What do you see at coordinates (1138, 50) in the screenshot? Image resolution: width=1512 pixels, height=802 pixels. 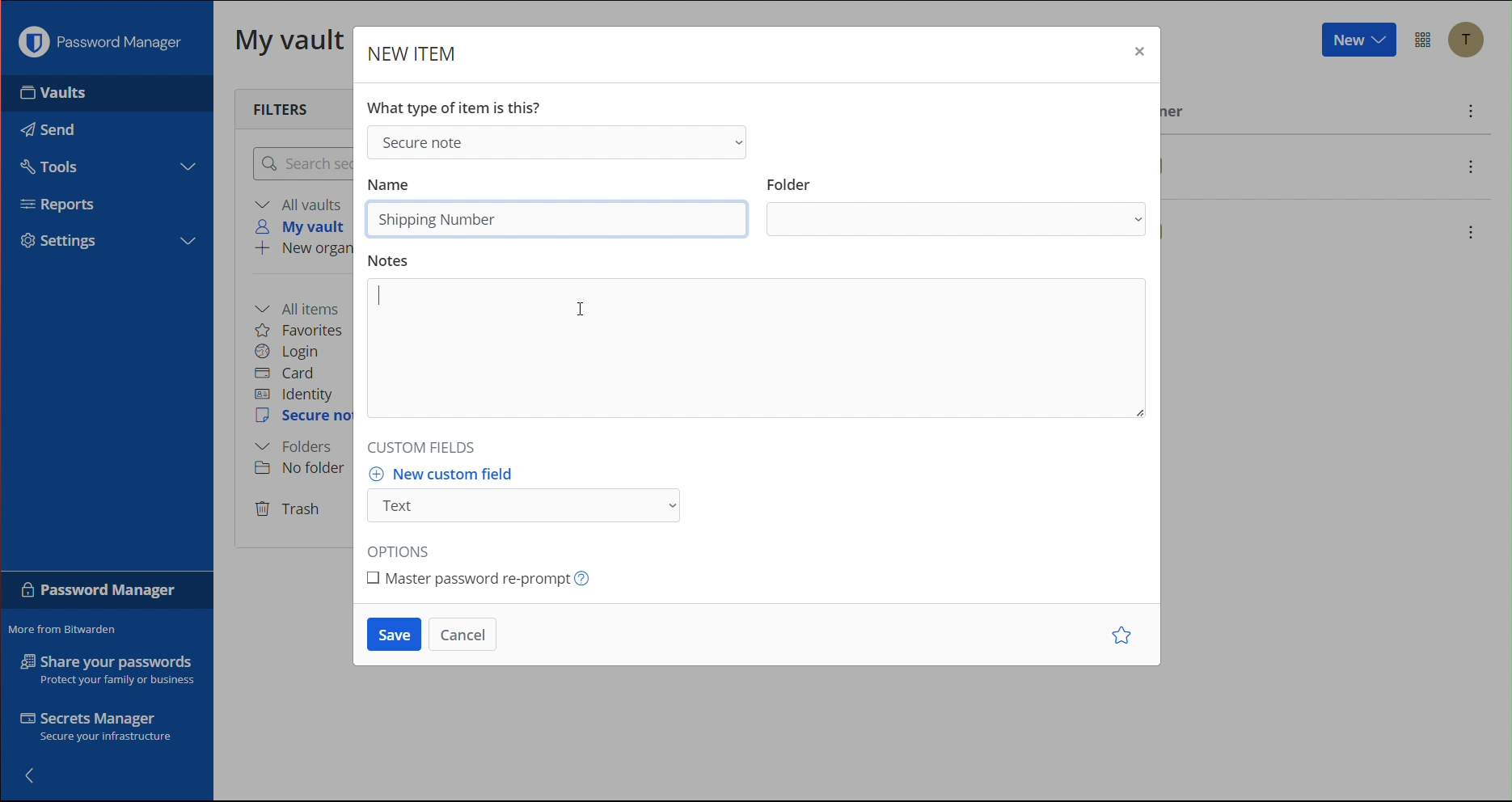 I see `Close` at bounding box center [1138, 50].